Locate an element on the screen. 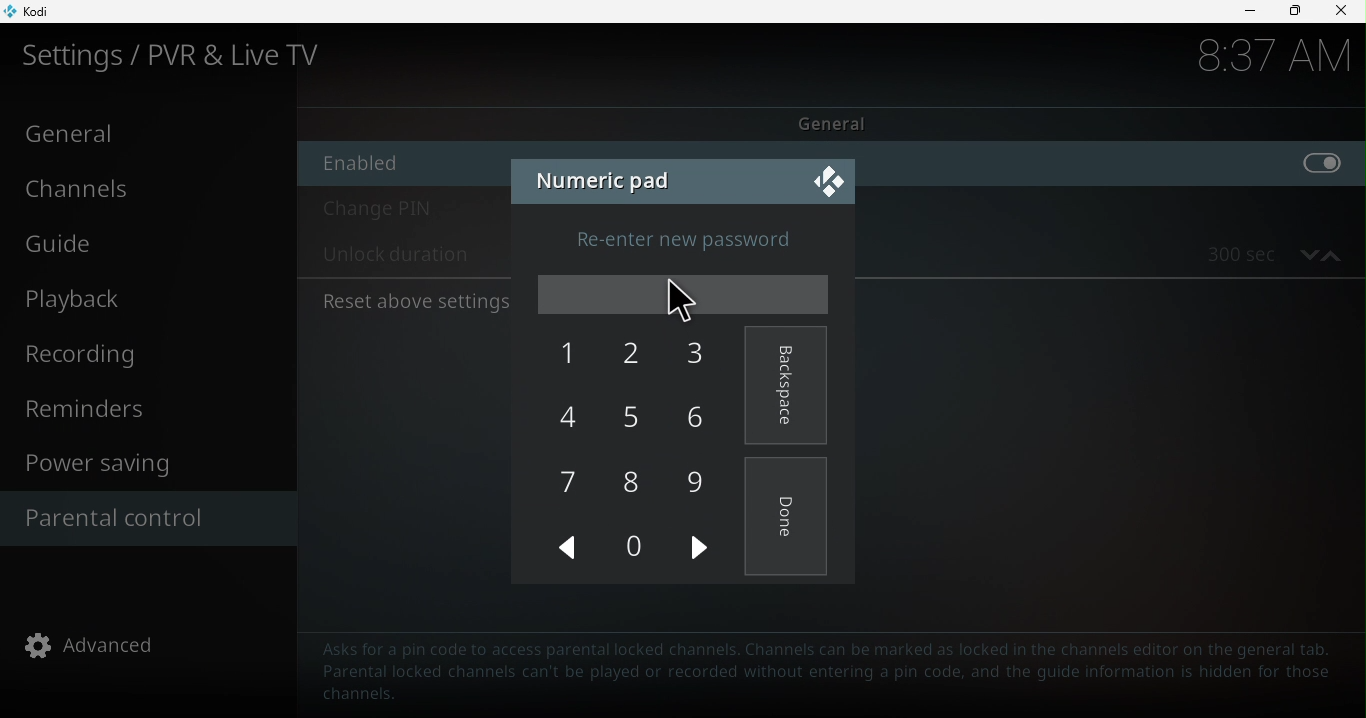 The image size is (1366, 718). Enable is located at coordinates (396, 163).